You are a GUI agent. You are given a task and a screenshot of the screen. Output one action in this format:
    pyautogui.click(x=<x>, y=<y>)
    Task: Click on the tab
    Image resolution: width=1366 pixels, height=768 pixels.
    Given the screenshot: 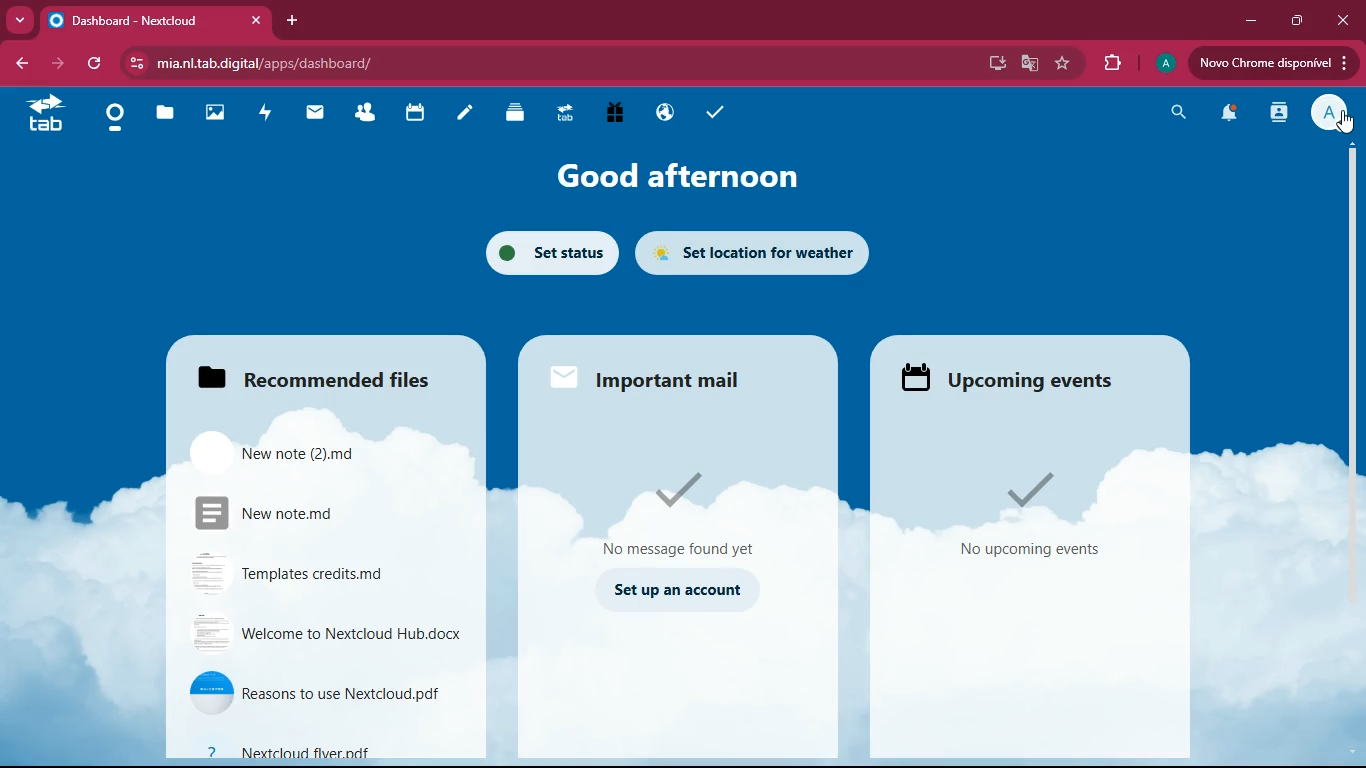 What is the action you would take?
    pyautogui.click(x=153, y=21)
    